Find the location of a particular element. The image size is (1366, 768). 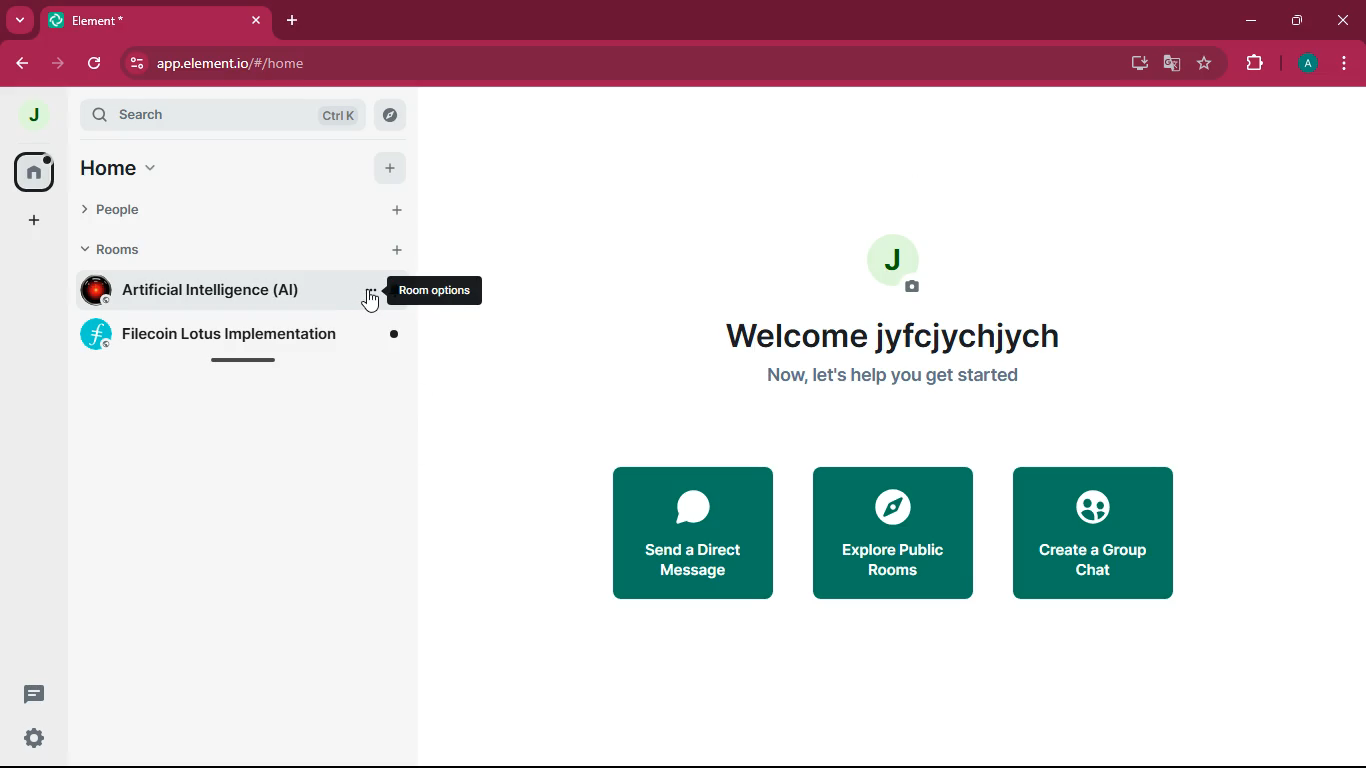

profile is located at coordinates (1309, 65).